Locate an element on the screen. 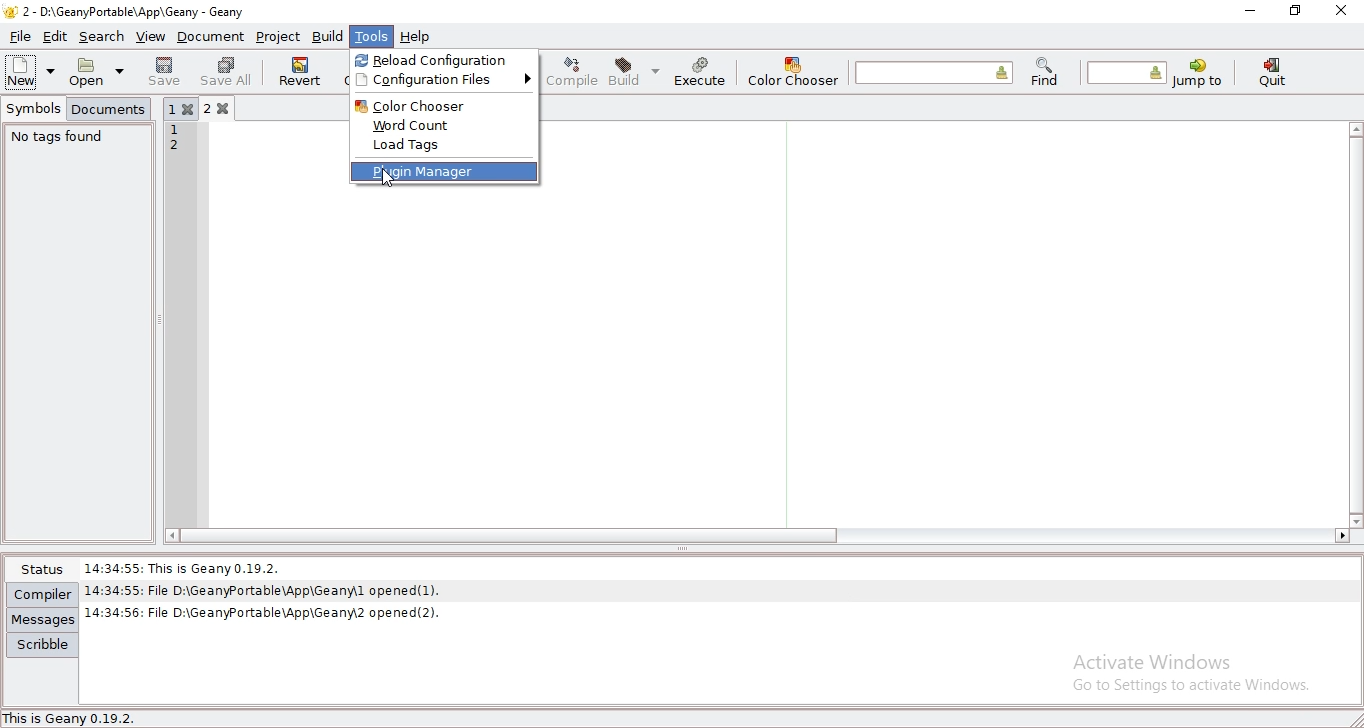 This screenshot has height=728, width=1364. search is located at coordinates (103, 36).